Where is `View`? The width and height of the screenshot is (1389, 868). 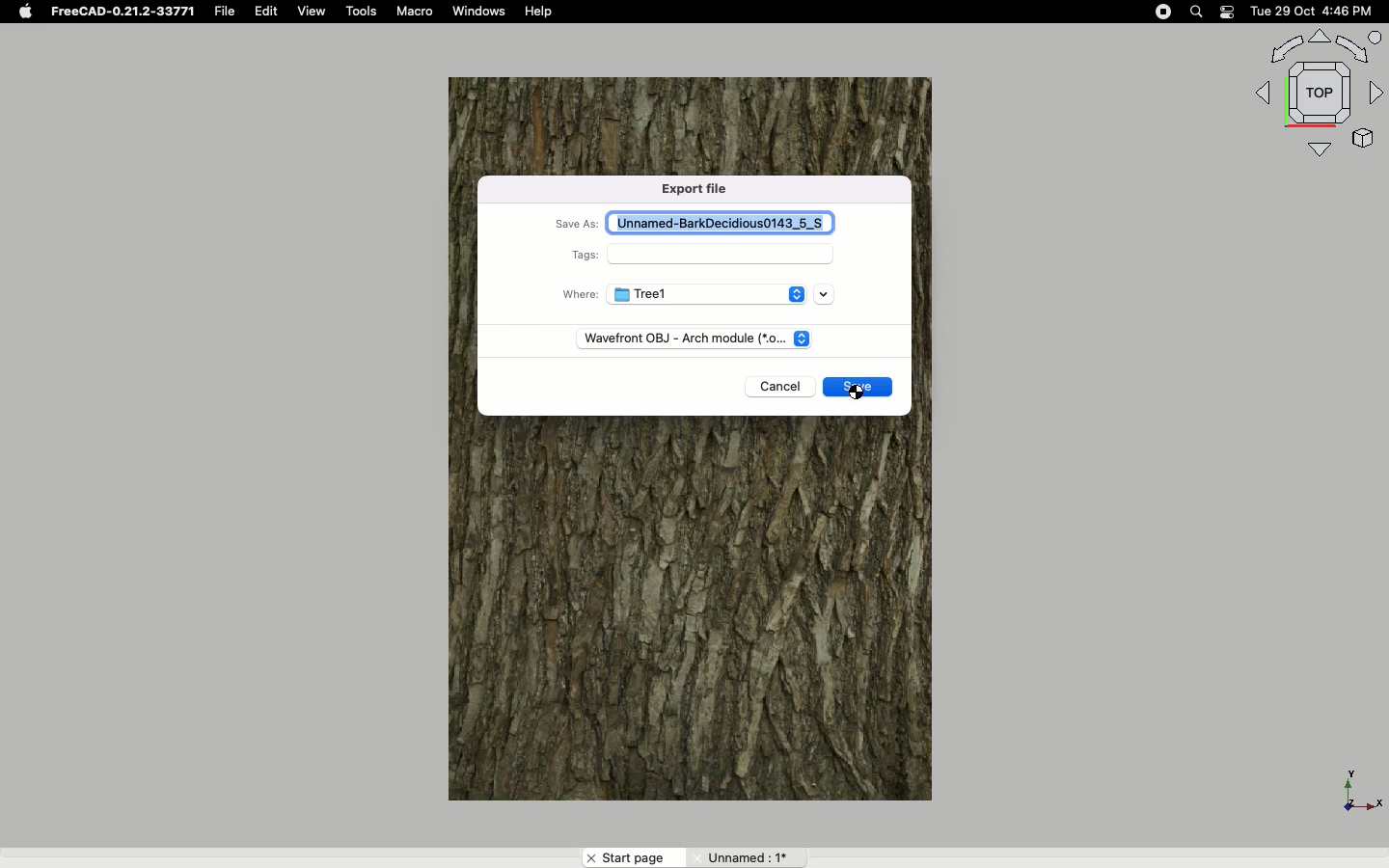 View is located at coordinates (312, 12).